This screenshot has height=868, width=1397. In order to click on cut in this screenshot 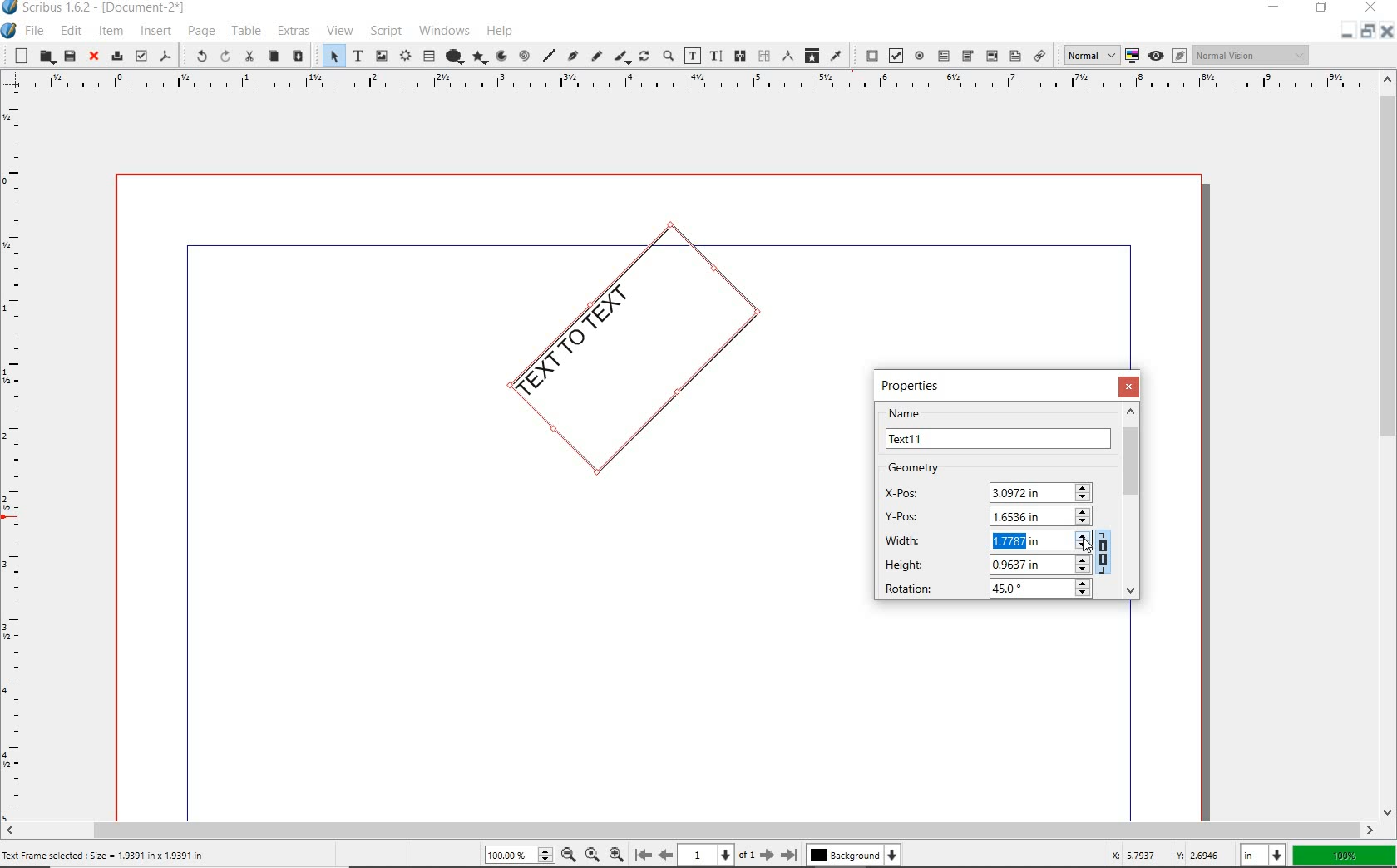, I will do `click(248, 57)`.